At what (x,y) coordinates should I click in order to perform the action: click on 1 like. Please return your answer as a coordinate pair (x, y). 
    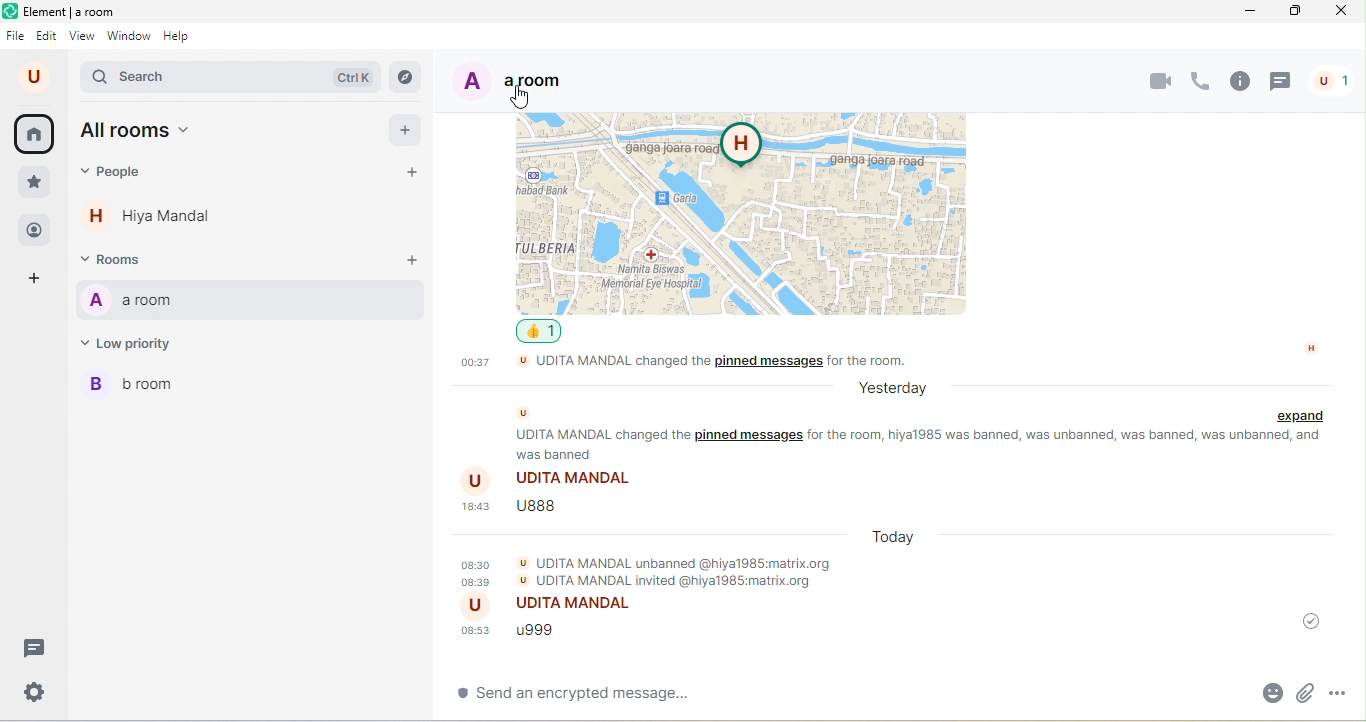
    Looking at the image, I should click on (544, 332).